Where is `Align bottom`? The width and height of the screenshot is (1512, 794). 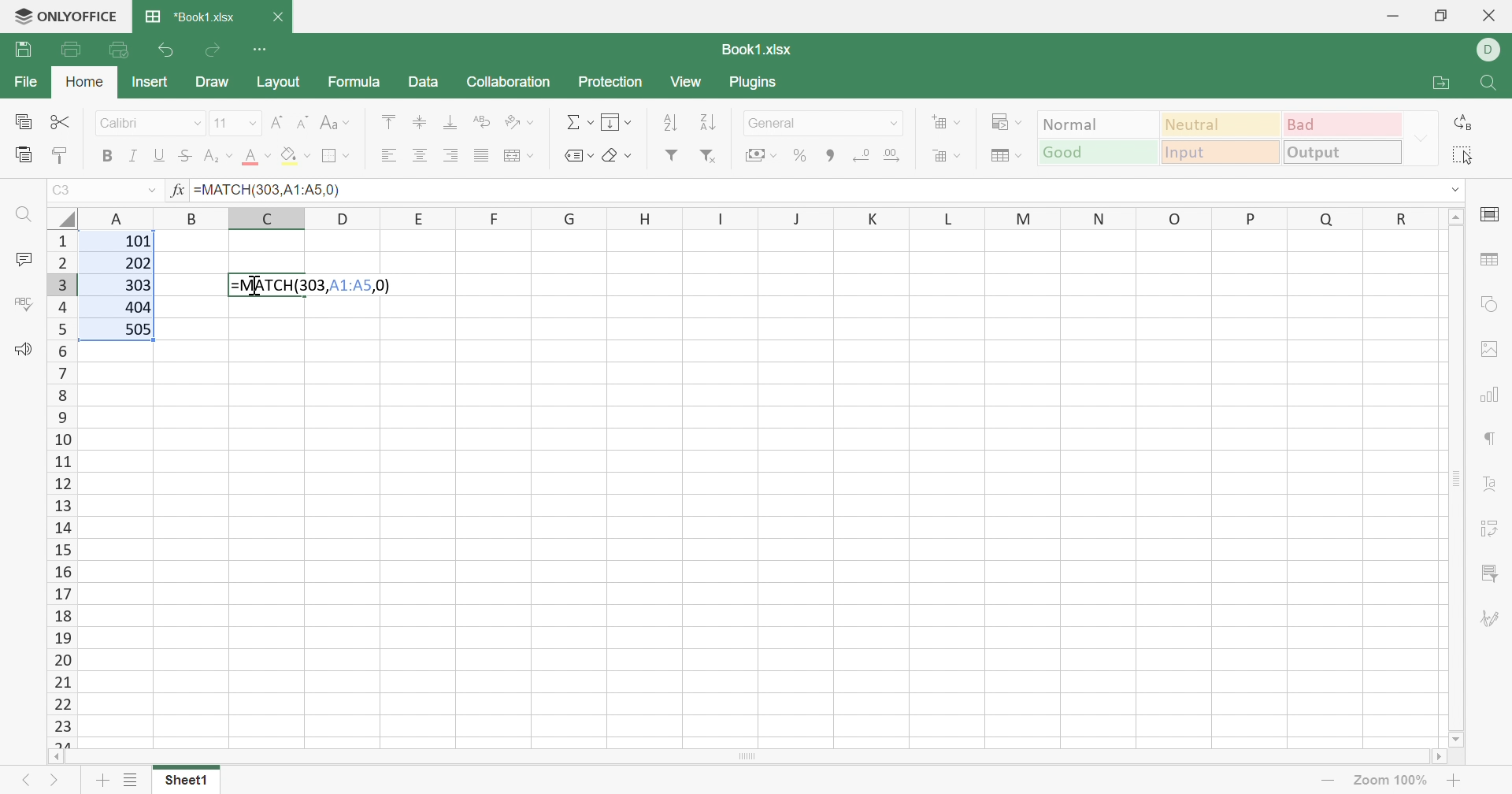 Align bottom is located at coordinates (450, 124).